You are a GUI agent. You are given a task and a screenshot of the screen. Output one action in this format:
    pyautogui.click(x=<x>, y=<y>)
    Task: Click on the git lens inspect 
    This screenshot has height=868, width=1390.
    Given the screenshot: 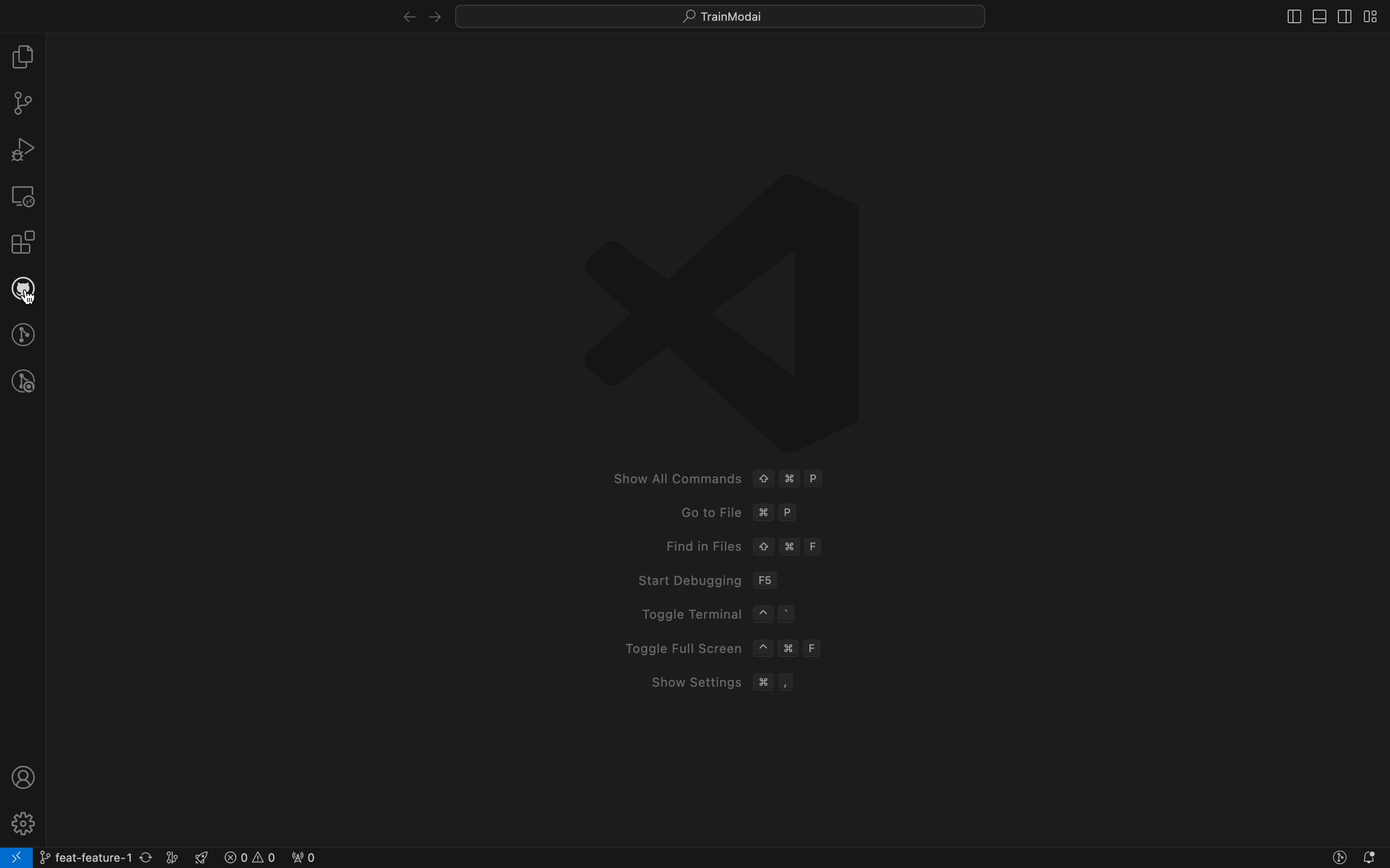 What is the action you would take?
    pyautogui.click(x=24, y=382)
    